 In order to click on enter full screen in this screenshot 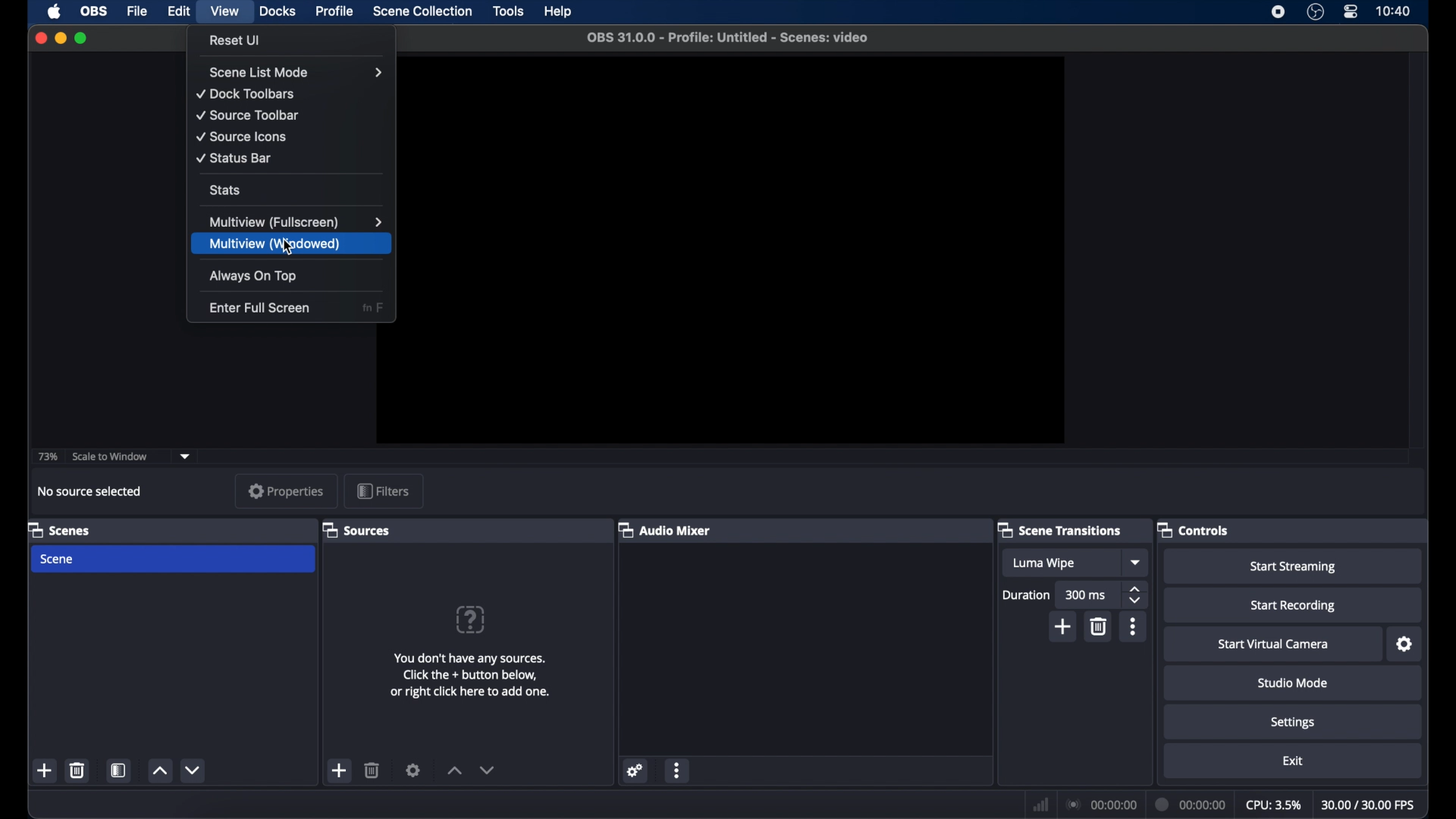, I will do `click(260, 306)`.